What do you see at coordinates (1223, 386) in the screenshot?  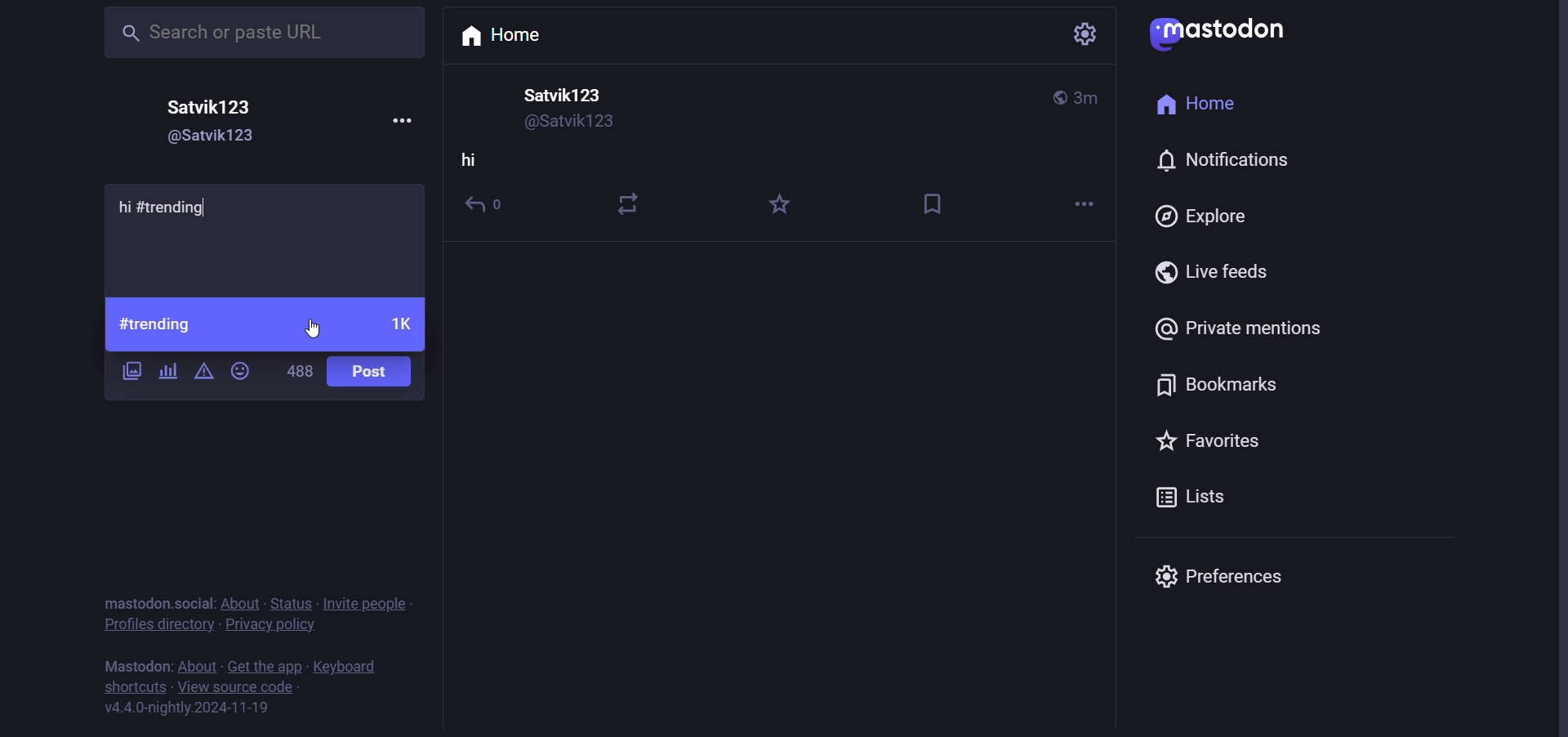 I see `bookmark` at bounding box center [1223, 386].